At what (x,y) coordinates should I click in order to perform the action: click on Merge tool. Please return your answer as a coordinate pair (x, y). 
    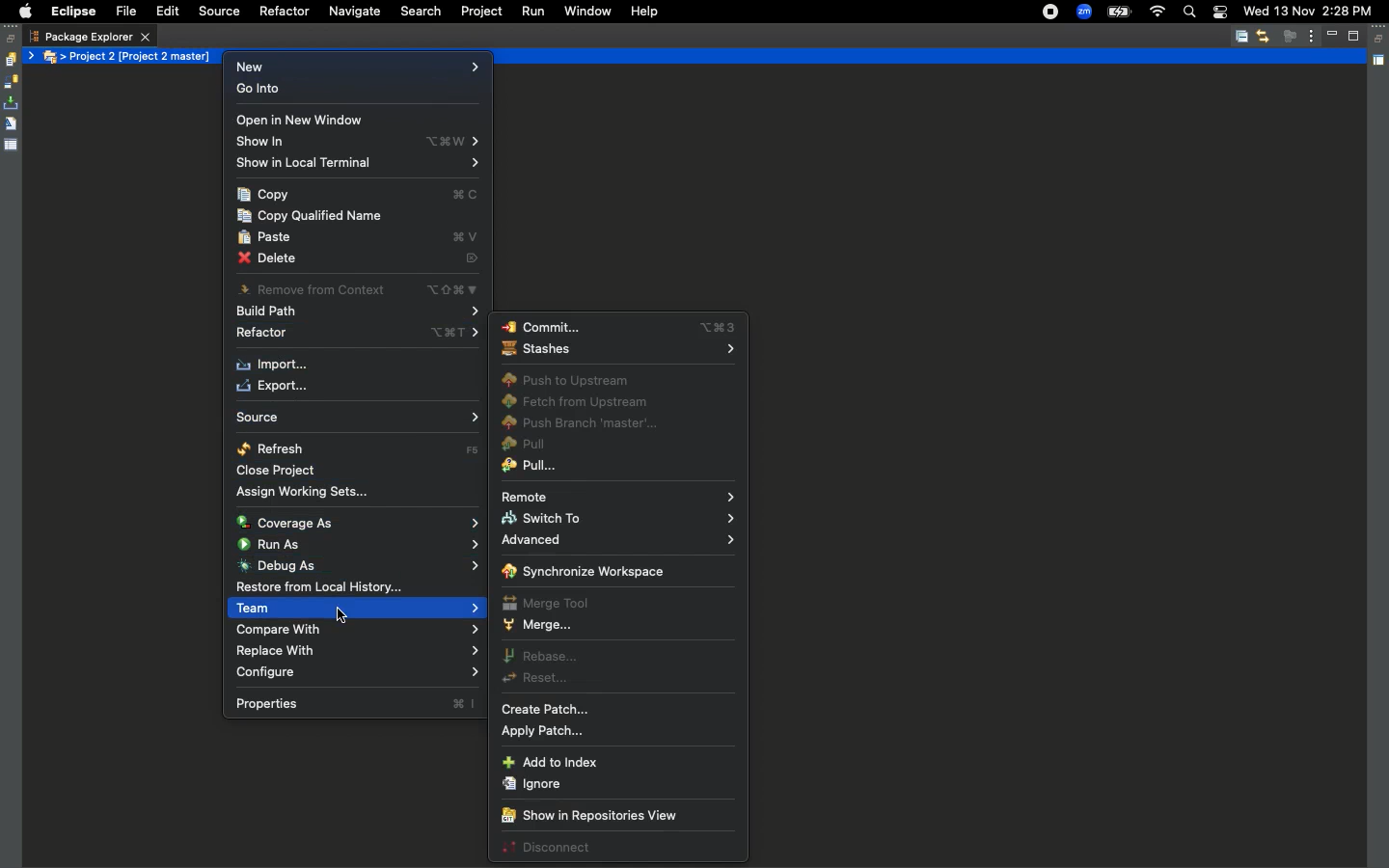
    Looking at the image, I should click on (548, 602).